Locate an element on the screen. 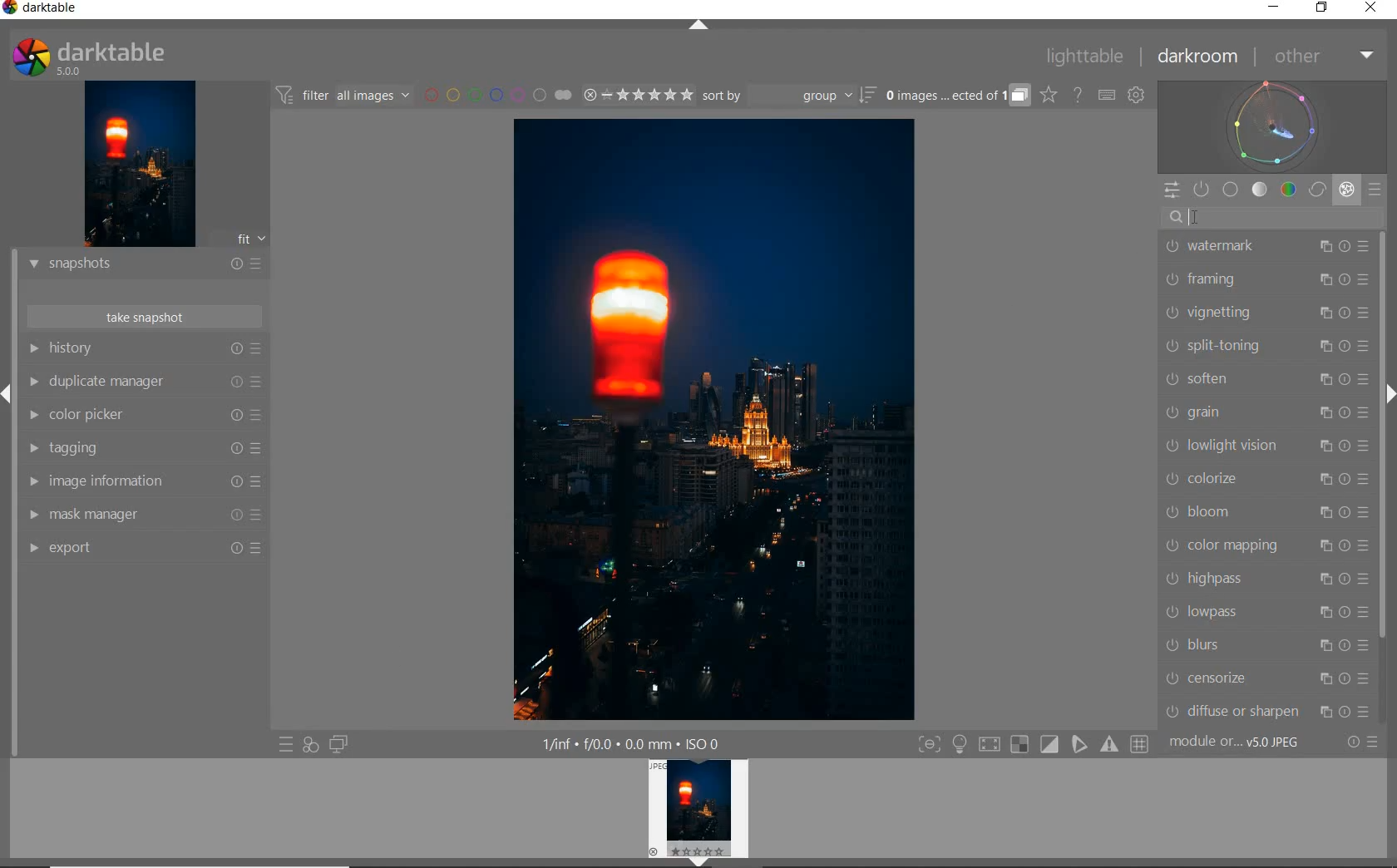 This screenshot has width=1397, height=868. Preset and reset is located at coordinates (1364, 247).